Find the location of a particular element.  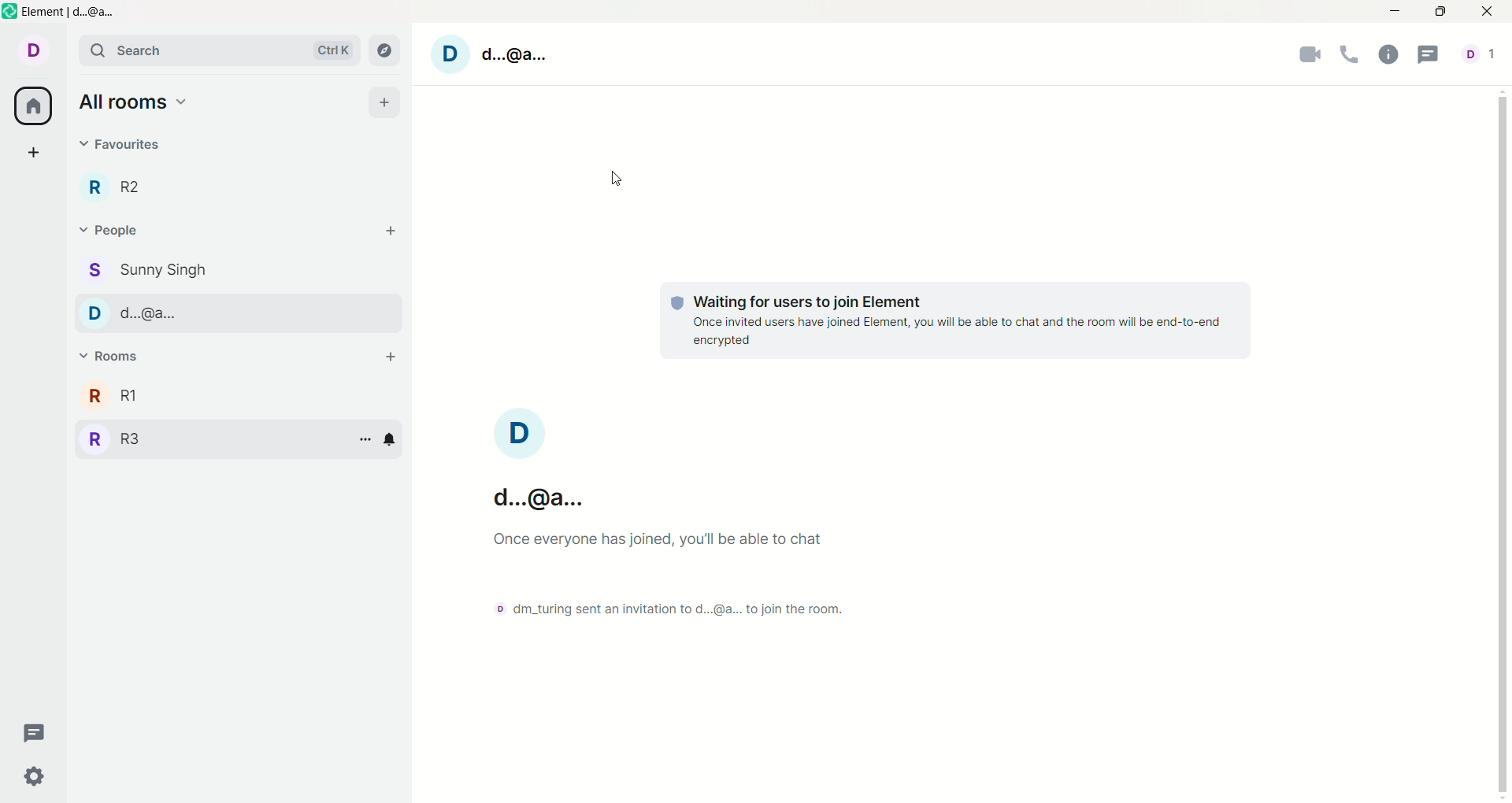

favorites is located at coordinates (120, 149).